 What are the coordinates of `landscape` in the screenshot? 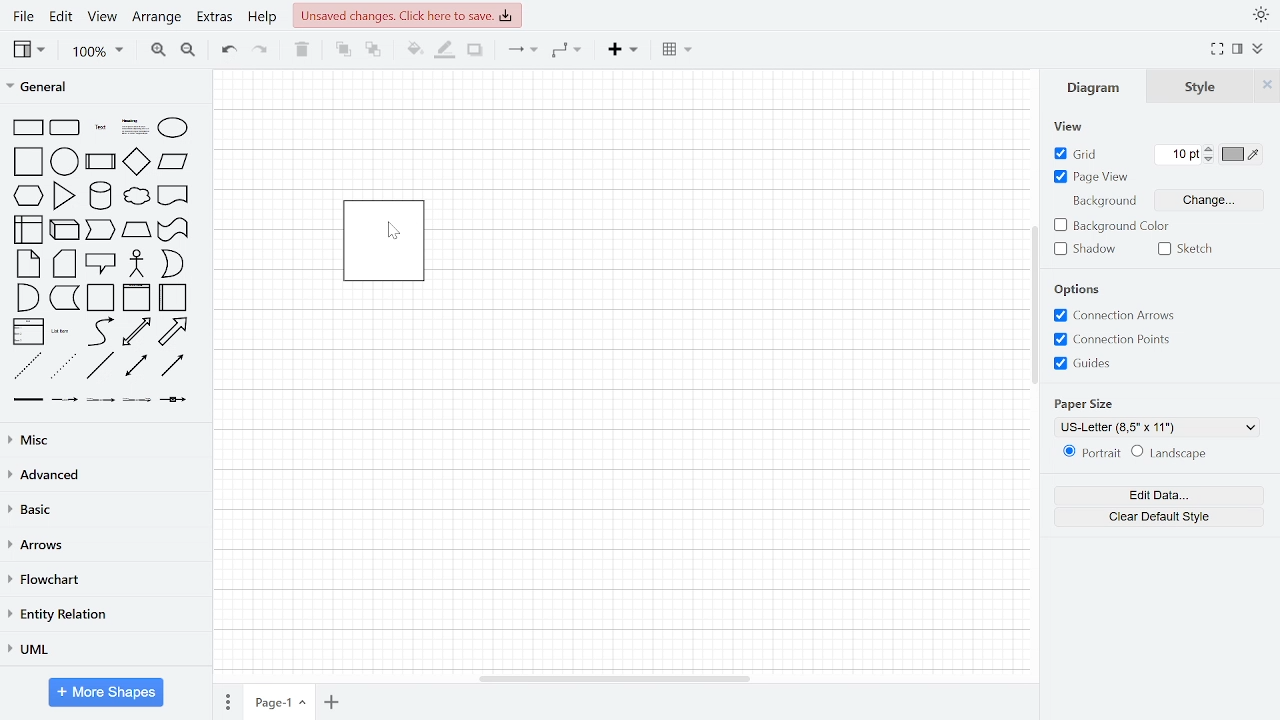 It's located at (1170, 452).